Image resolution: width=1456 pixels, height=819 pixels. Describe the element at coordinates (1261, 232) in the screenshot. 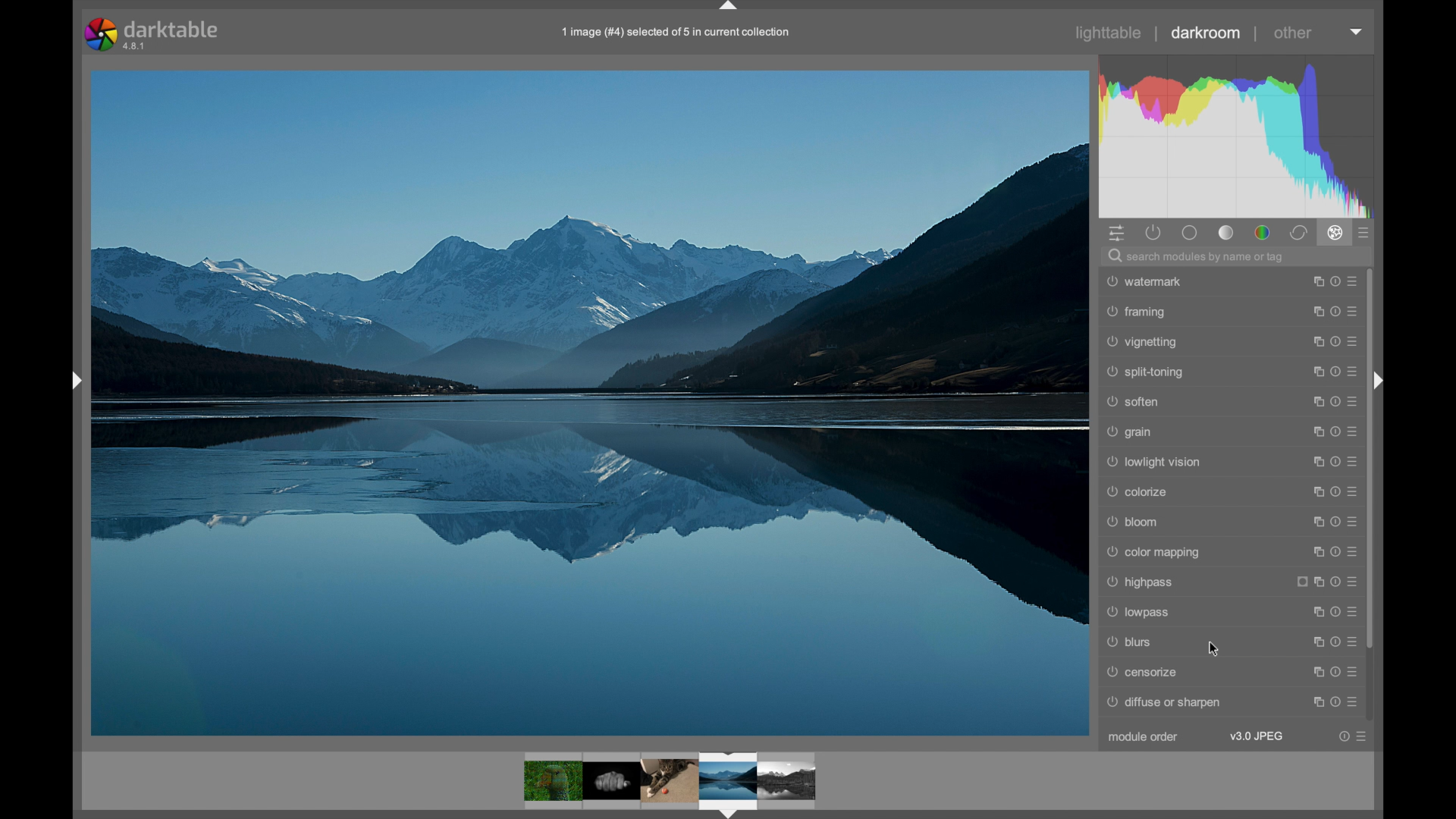

I see `color` at that location.